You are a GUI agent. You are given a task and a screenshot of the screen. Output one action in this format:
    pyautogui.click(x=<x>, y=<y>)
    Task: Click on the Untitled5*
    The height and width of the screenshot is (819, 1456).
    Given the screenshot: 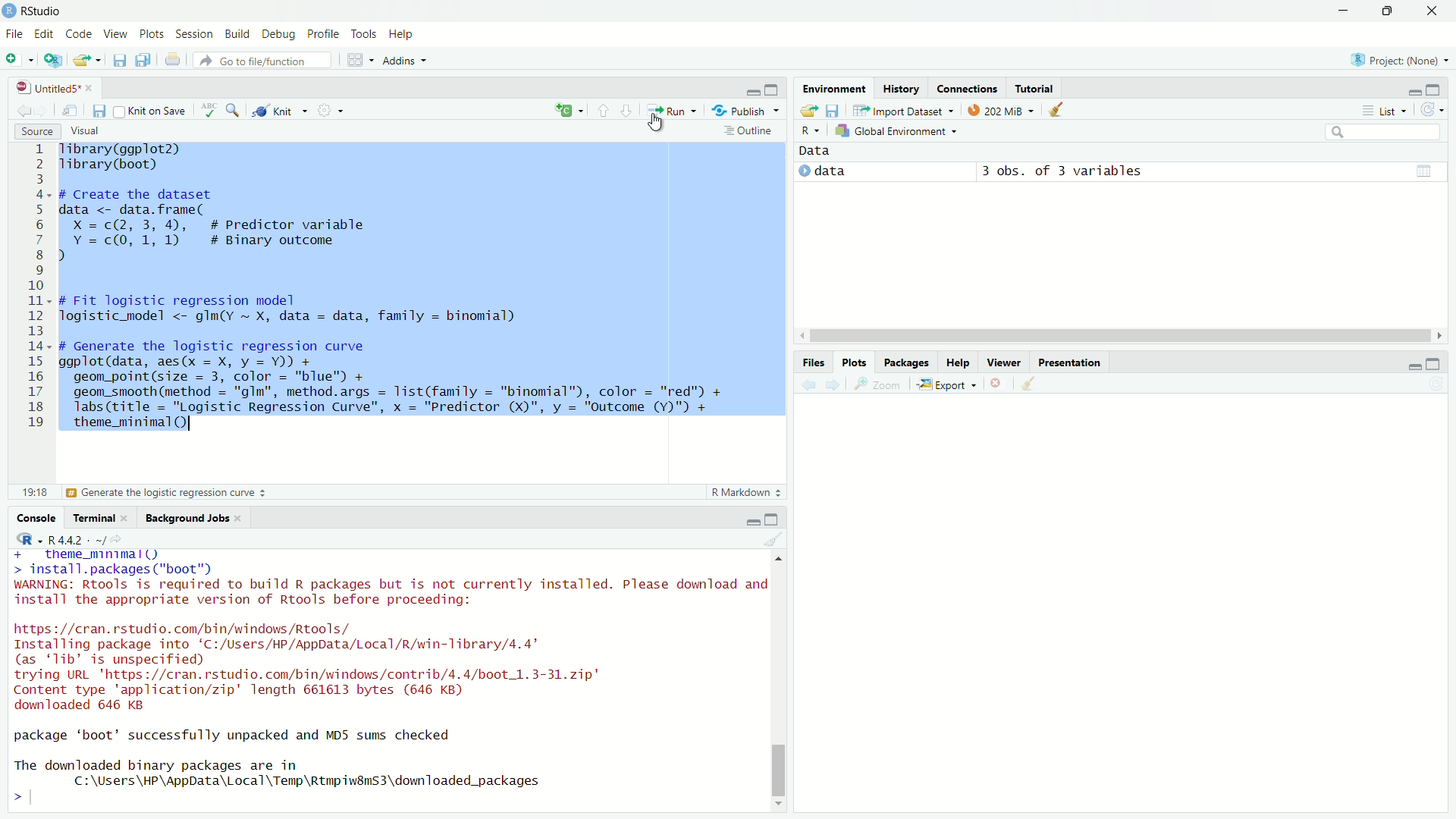 What is the action you would take?
    pyautogui.click(x=47, y=88)
    